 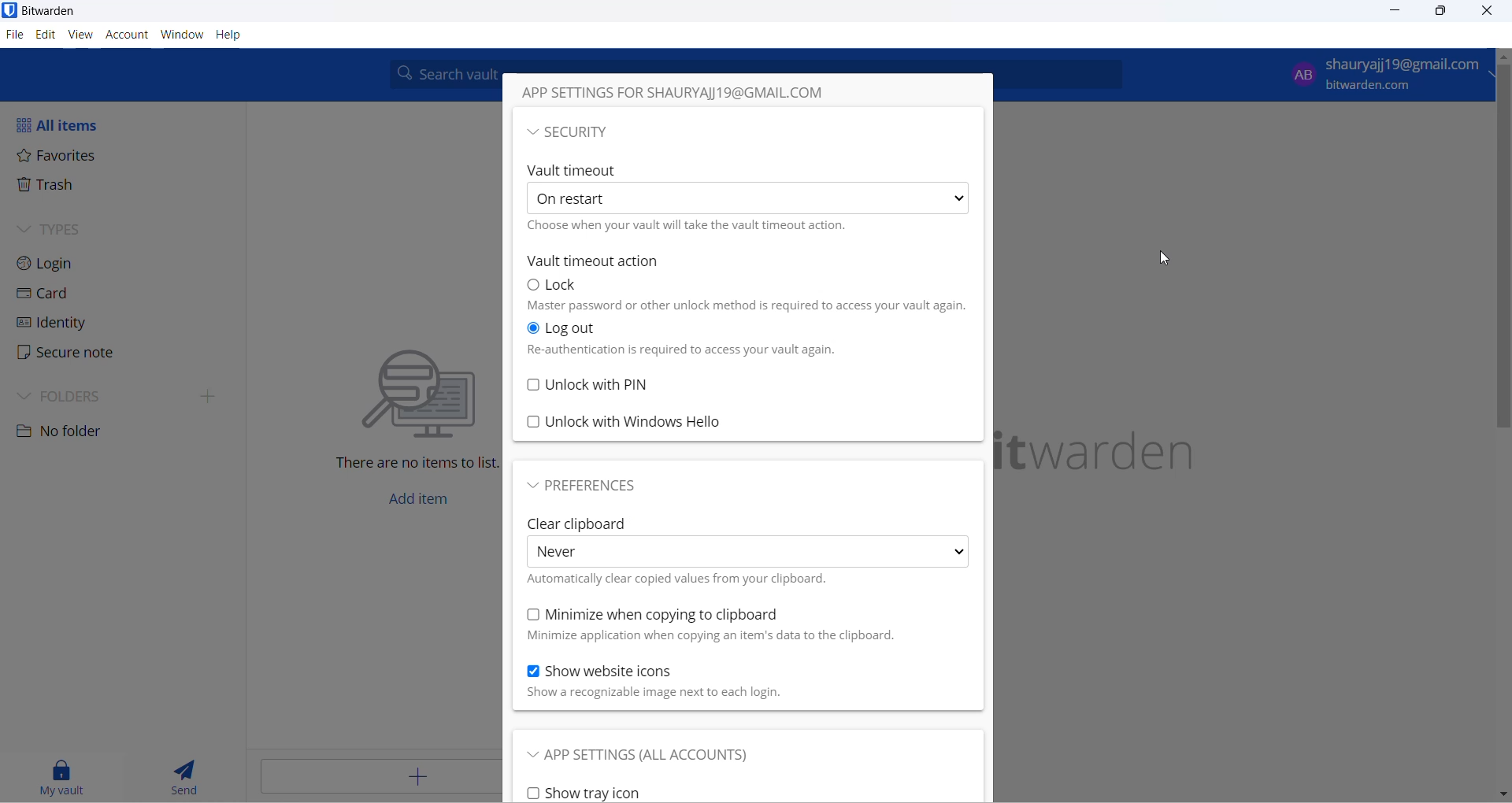 I want to click on Help, so click(x=228, y=35).